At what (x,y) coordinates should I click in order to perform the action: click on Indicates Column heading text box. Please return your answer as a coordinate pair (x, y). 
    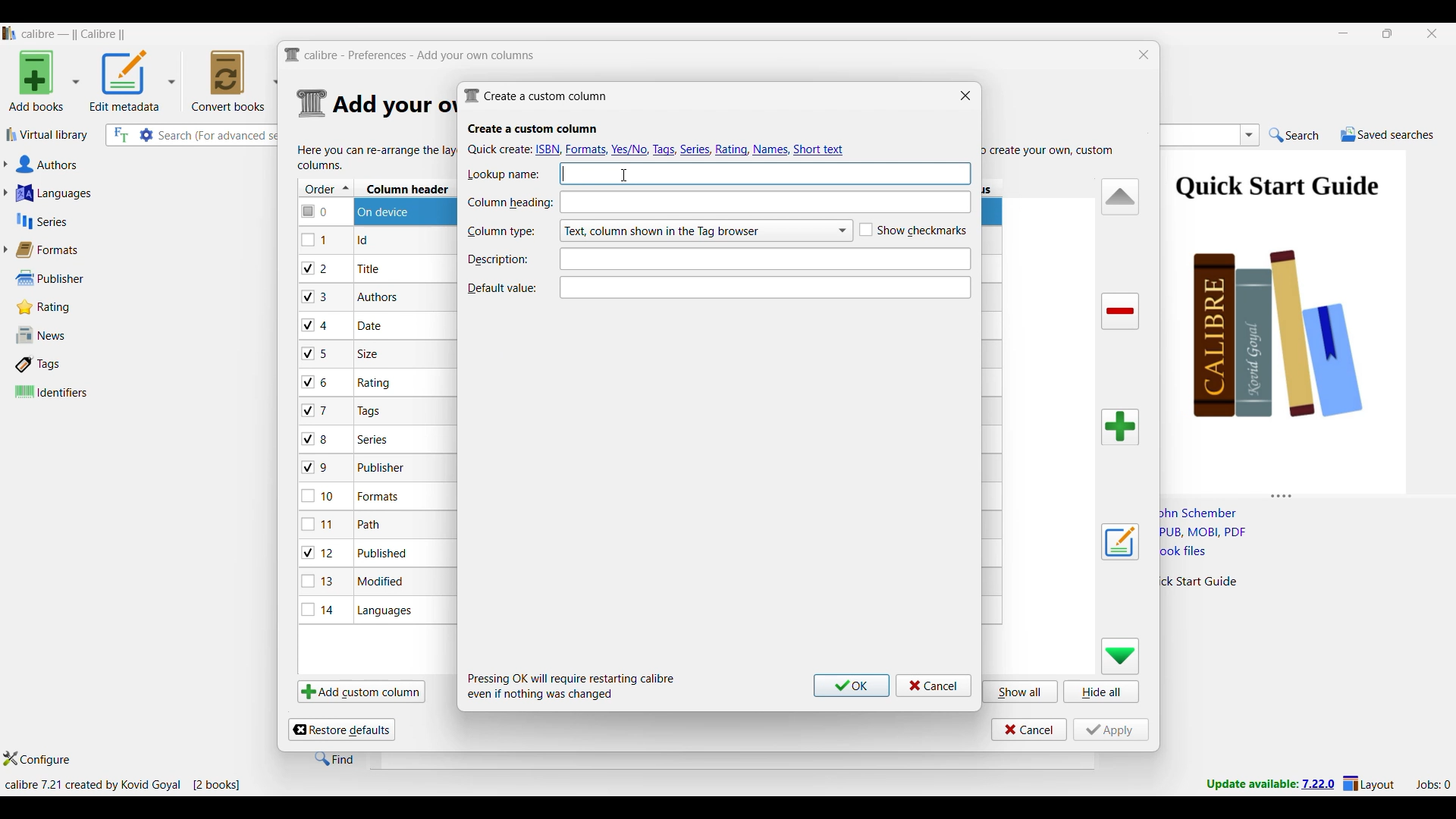
    Looking at the image, I should click on (510, 203).